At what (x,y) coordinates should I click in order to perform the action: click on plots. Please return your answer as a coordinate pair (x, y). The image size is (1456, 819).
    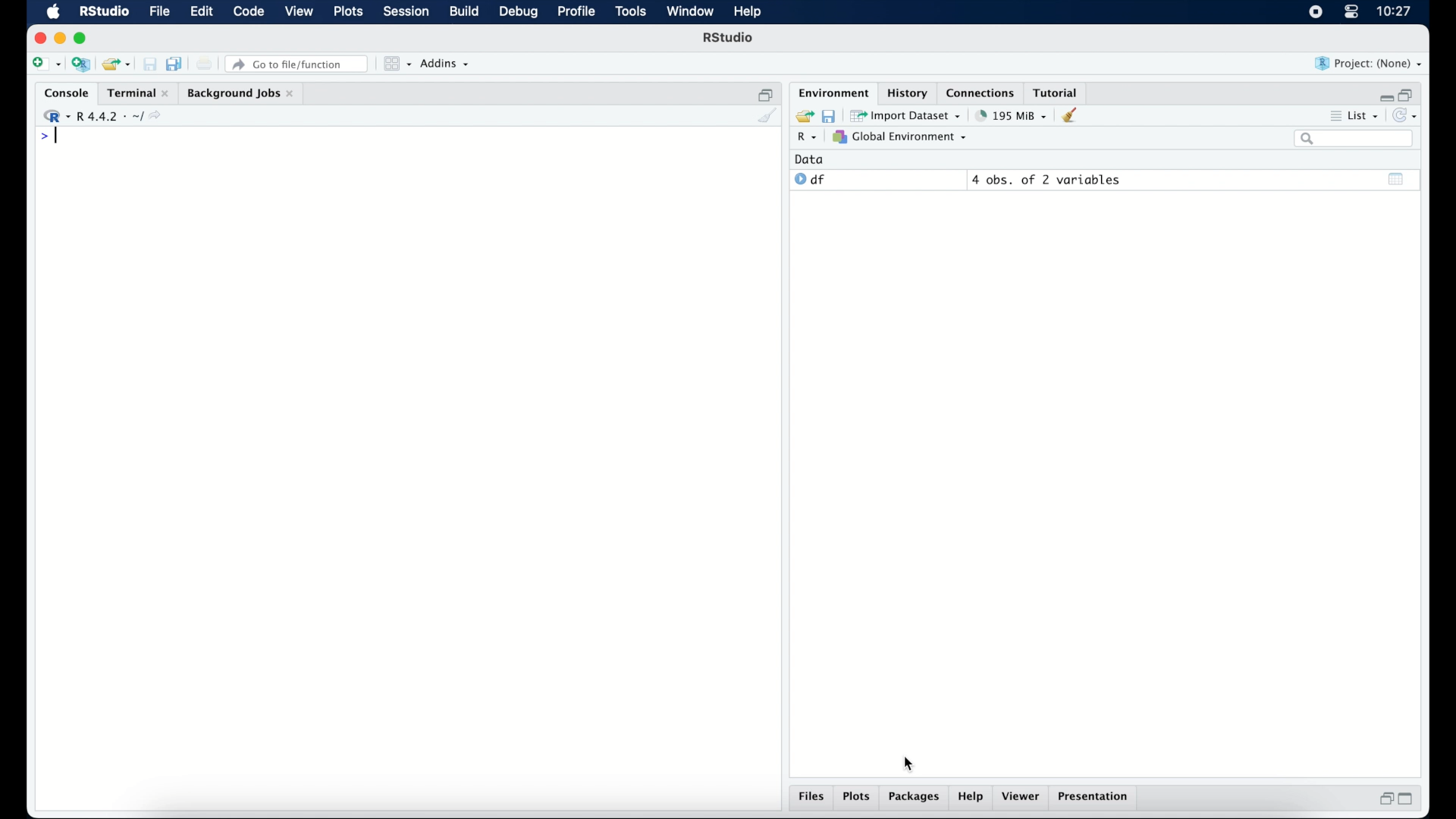
    Looking at the image, I should click on (350, 13).